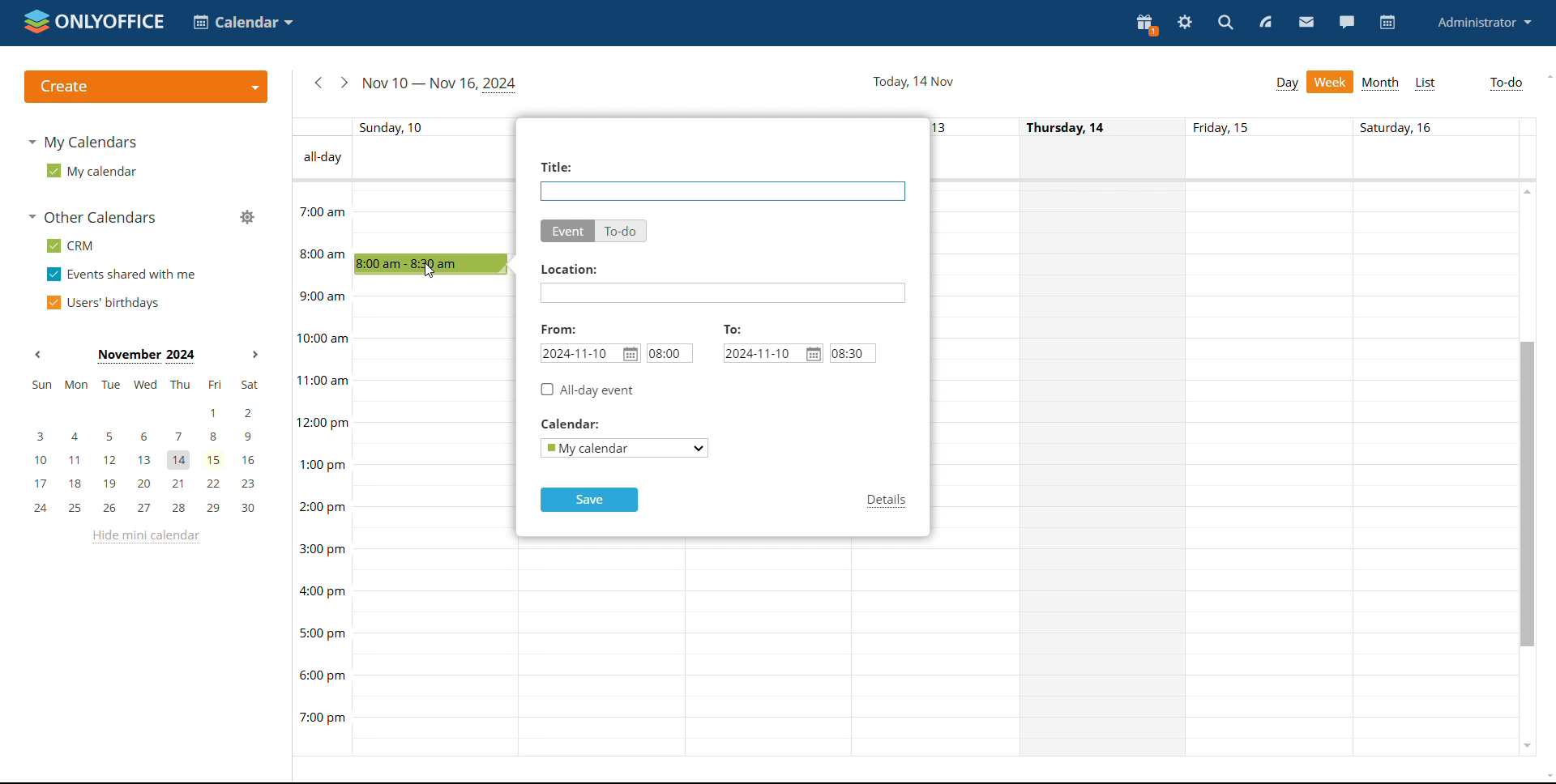 The width and height of the screenshot is (1556, 784). Describe the element at coordinates (1507, 83) in the screenshot. I see `to-do` at that location.